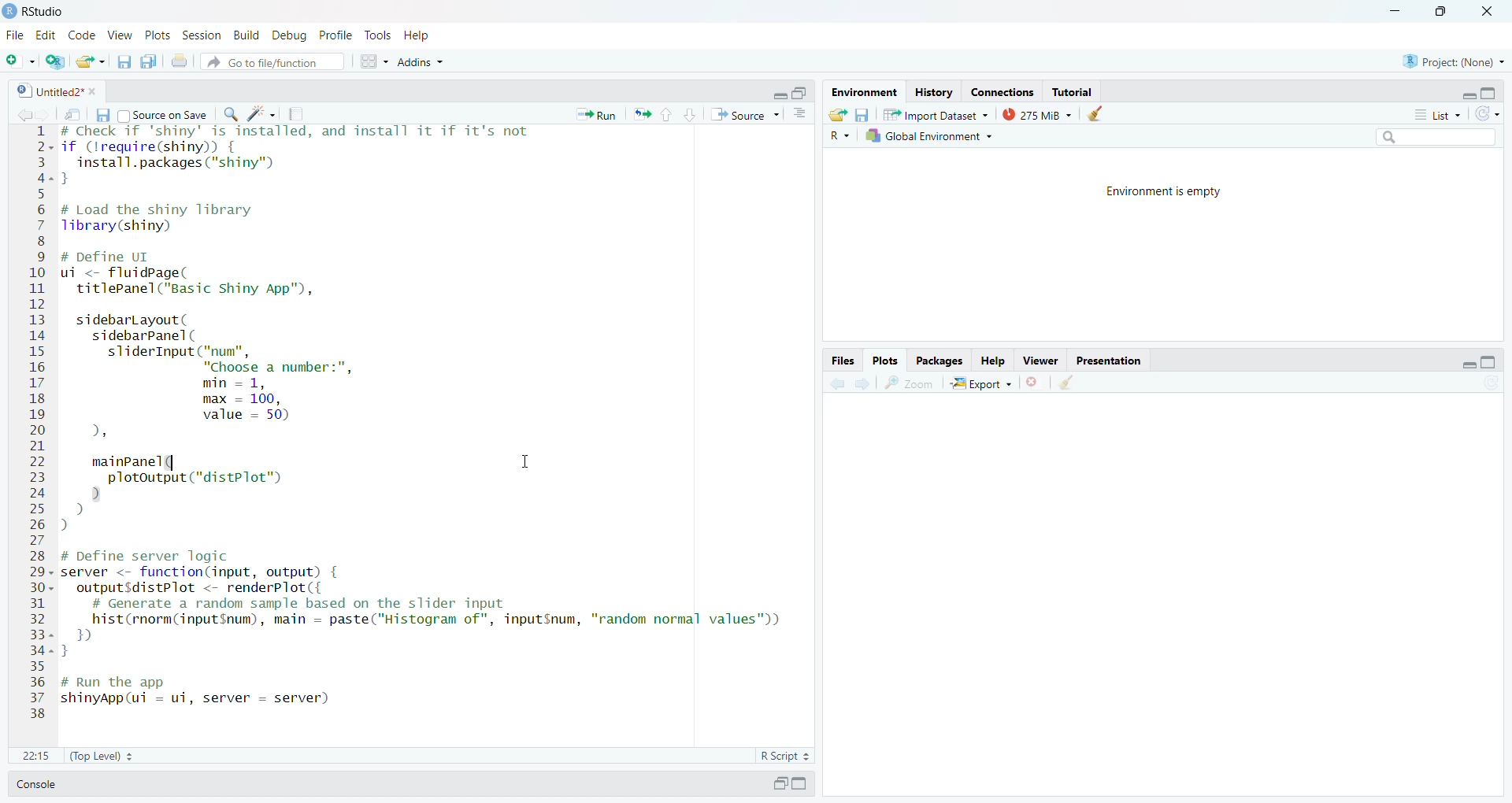 This screenshot has height=803, width=1512. What do you see at coordinates (1485, 11) in the screenshot?
I see `close` at bounding box center [1485, 11].